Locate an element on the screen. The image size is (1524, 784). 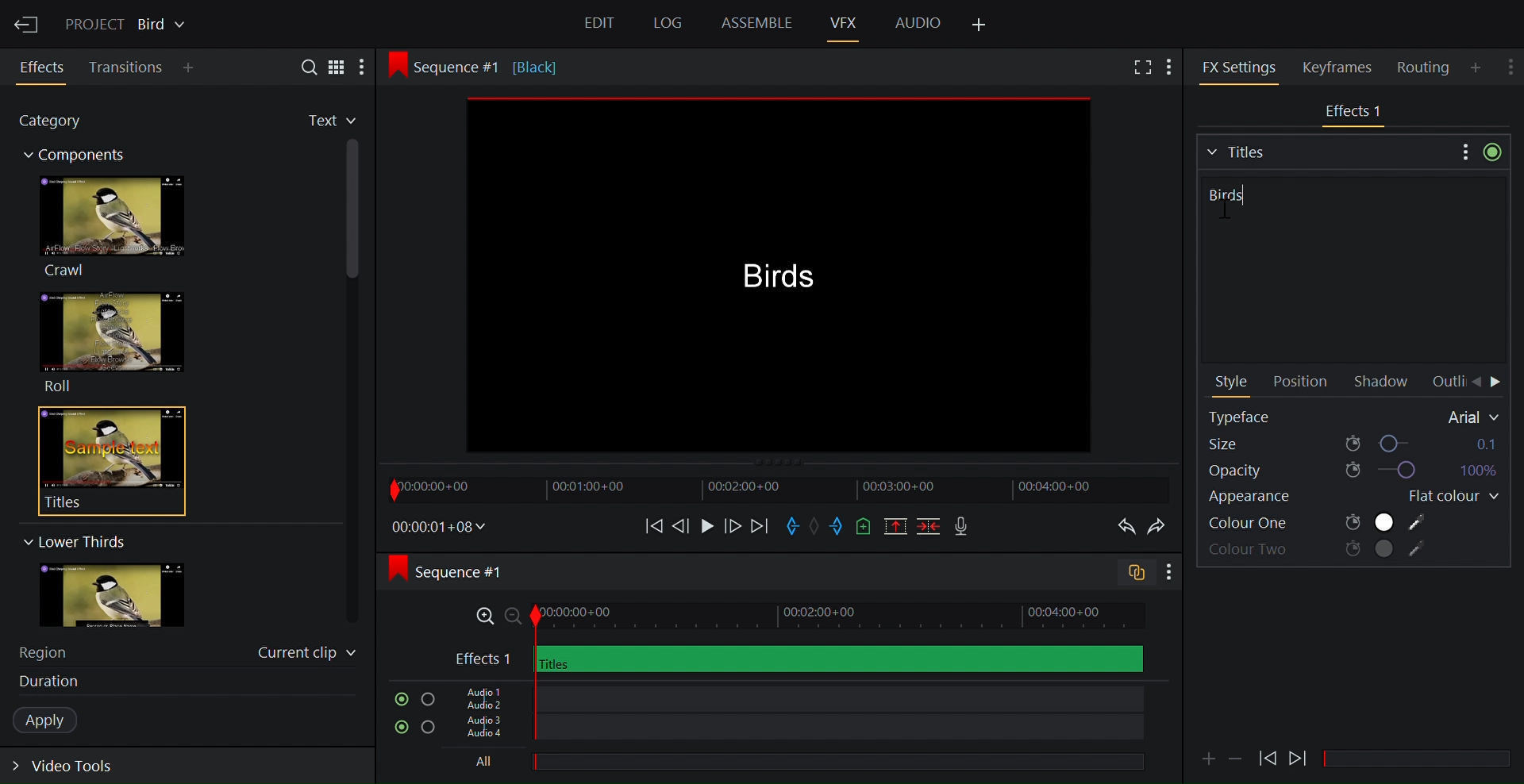
Nudge one frame backwards is located at coordinates (682, 525).